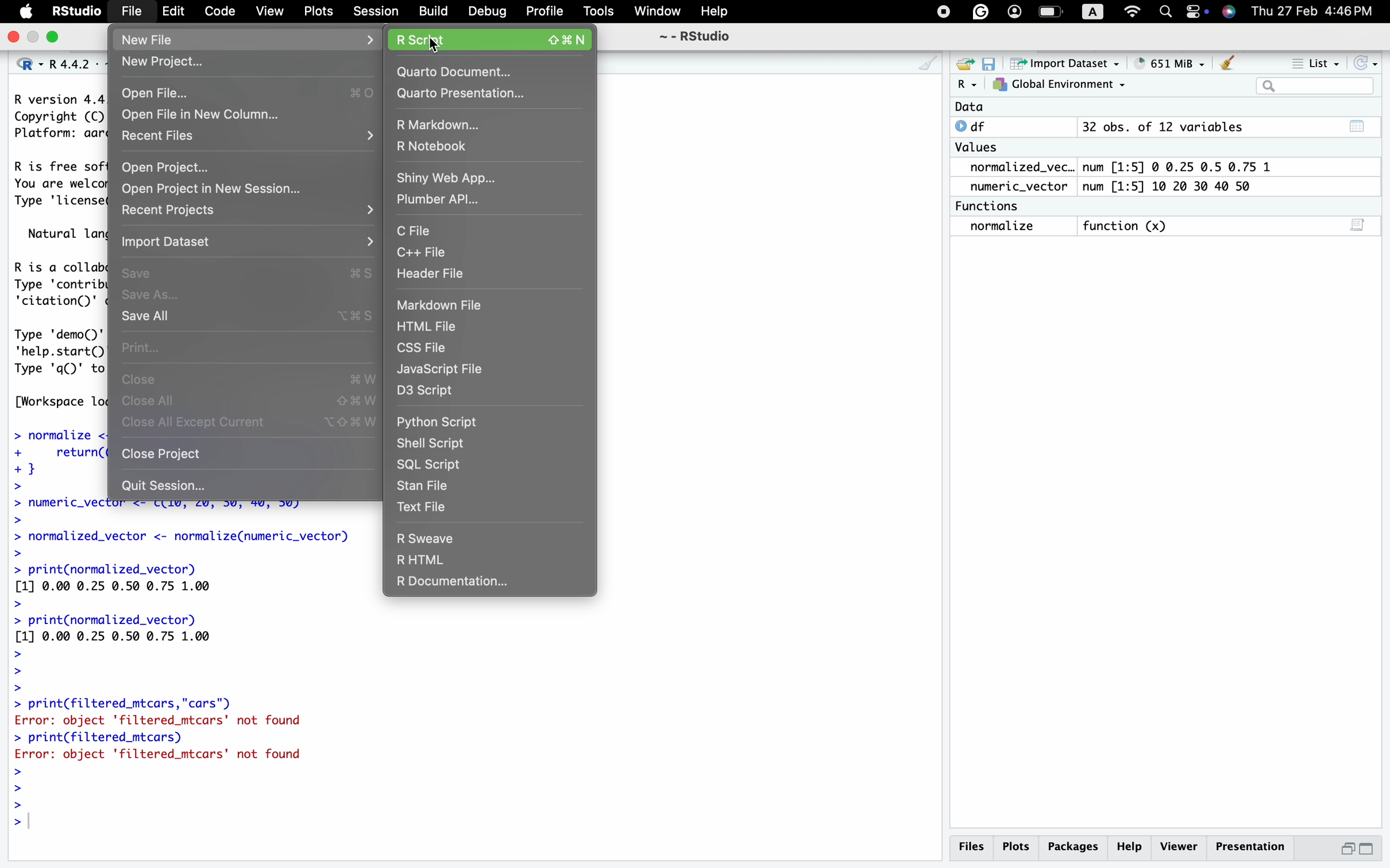 The width and height of the screenshot is (1390, 868). Describe the element at coordinates (168, 455) in the screenshot. I see `Close Project` at that location.